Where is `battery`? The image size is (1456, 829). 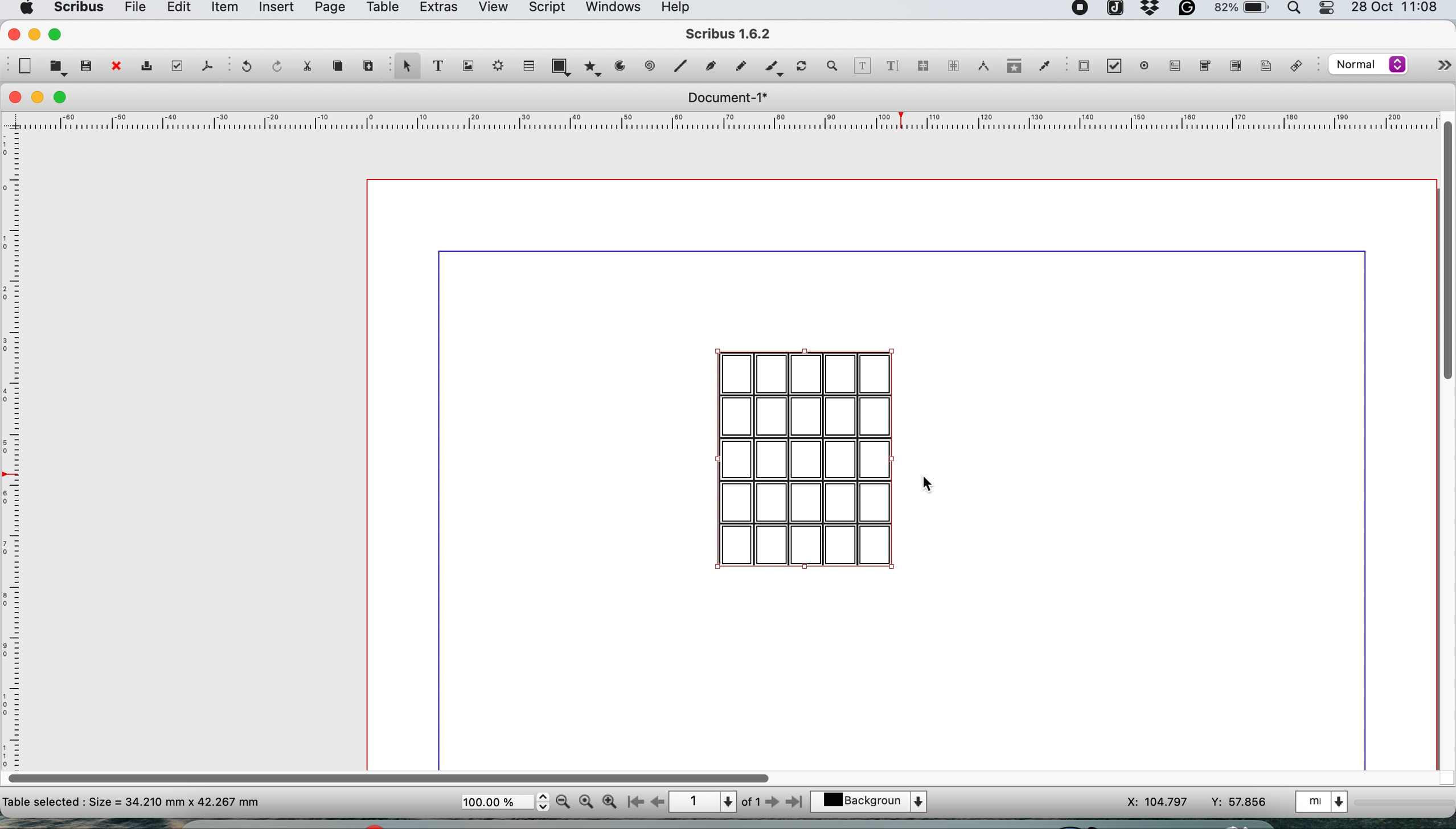
battery is located at coordinates (1240, 11).